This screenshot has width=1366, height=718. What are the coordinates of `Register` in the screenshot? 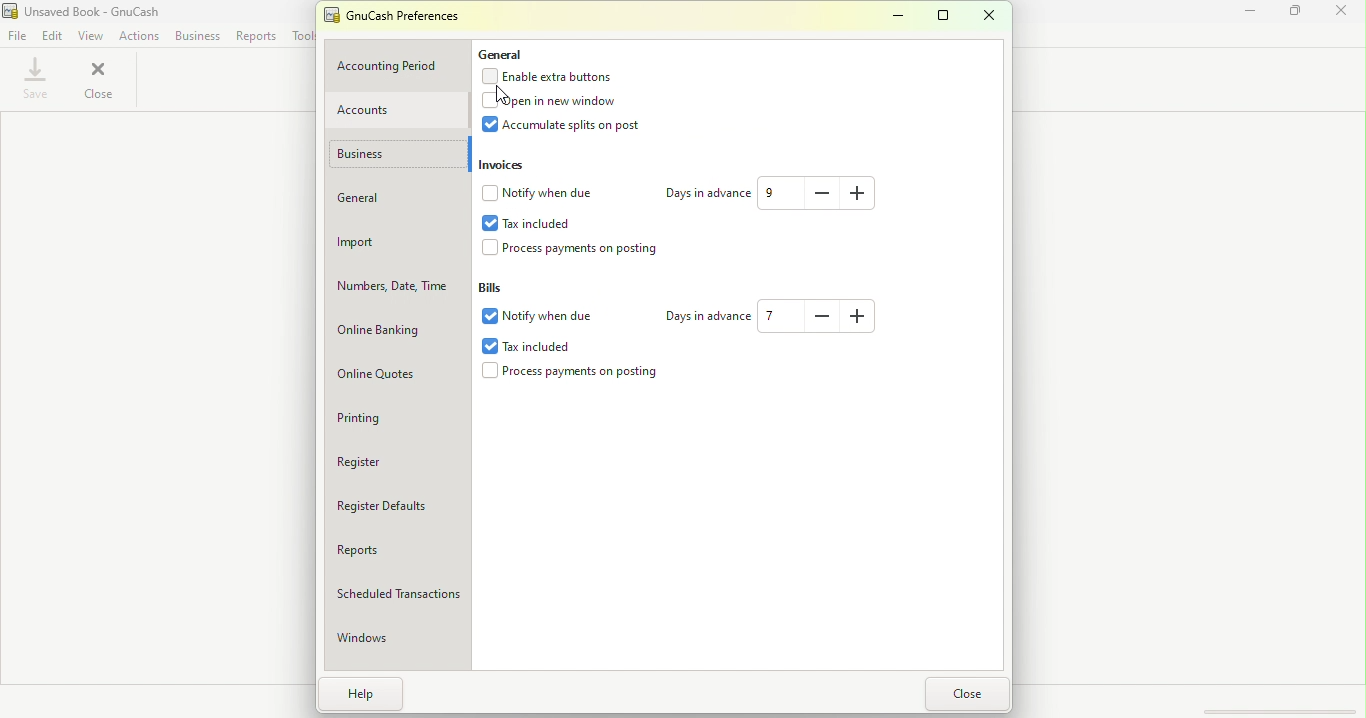 It's located at (400, 463).